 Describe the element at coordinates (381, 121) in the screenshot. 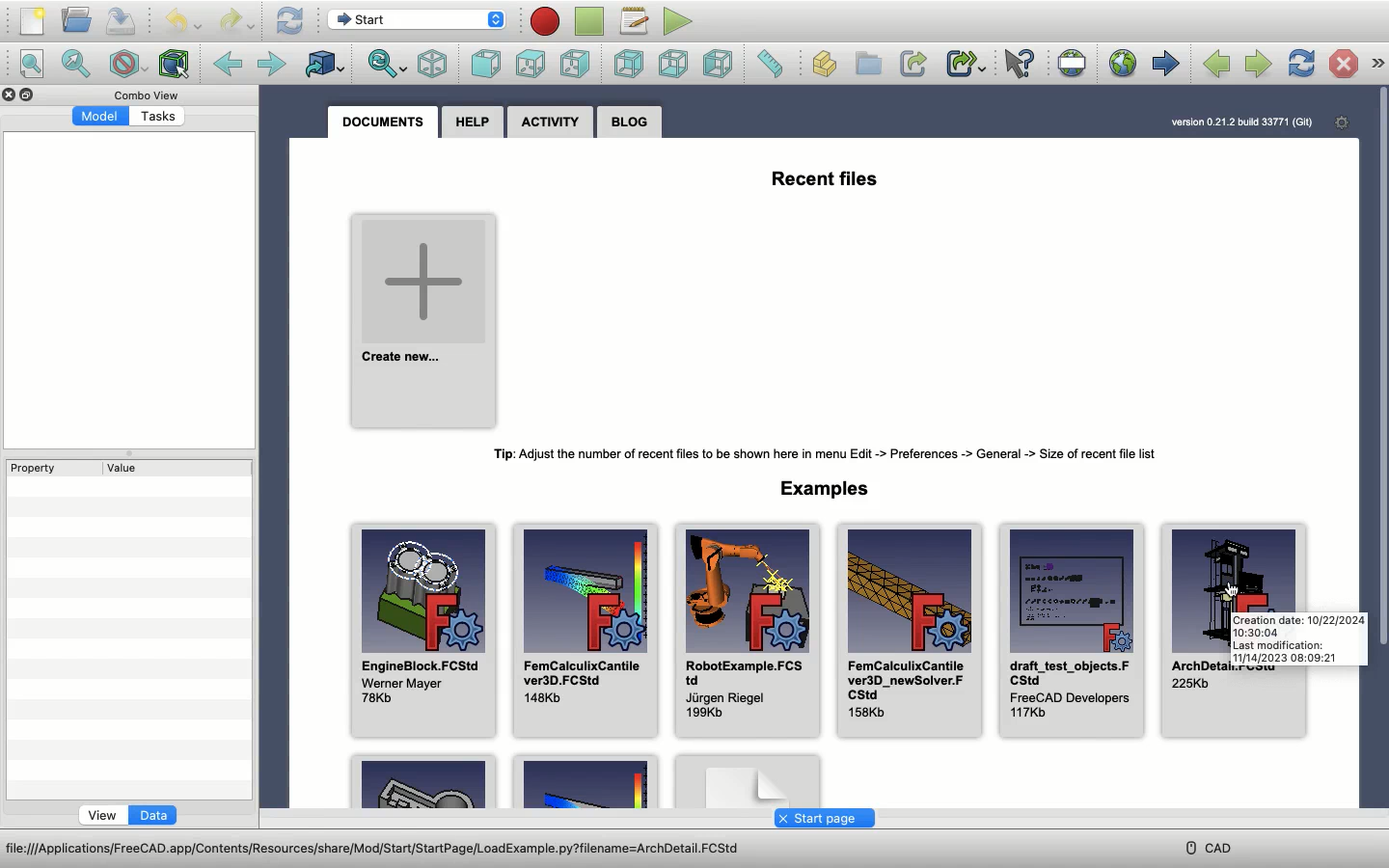

I see `Documents` at that location.